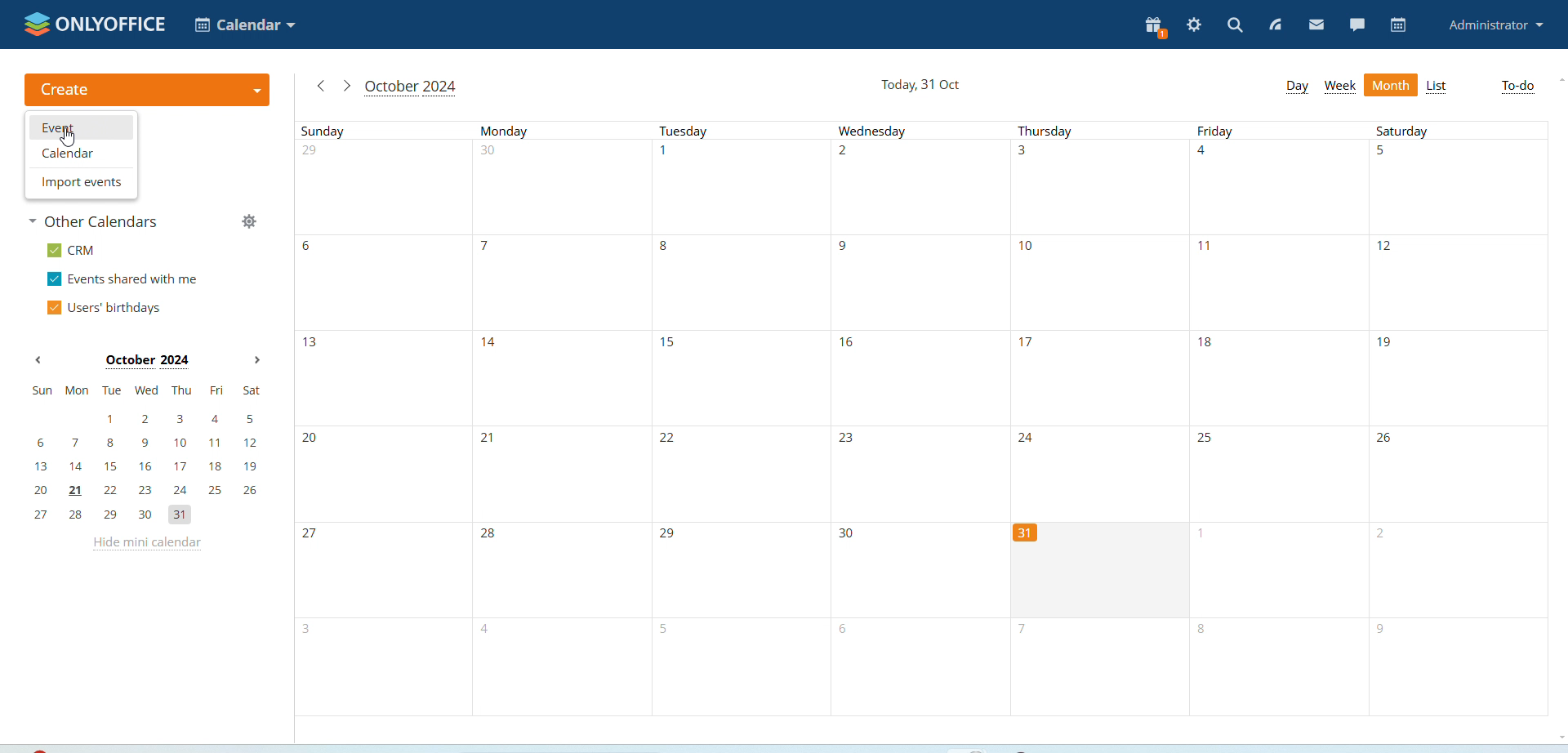 The width and height of the screenshot is (1568, 753). Describe the element at coordinates (1235, 26) in the screenshot. I see `search` at that location.